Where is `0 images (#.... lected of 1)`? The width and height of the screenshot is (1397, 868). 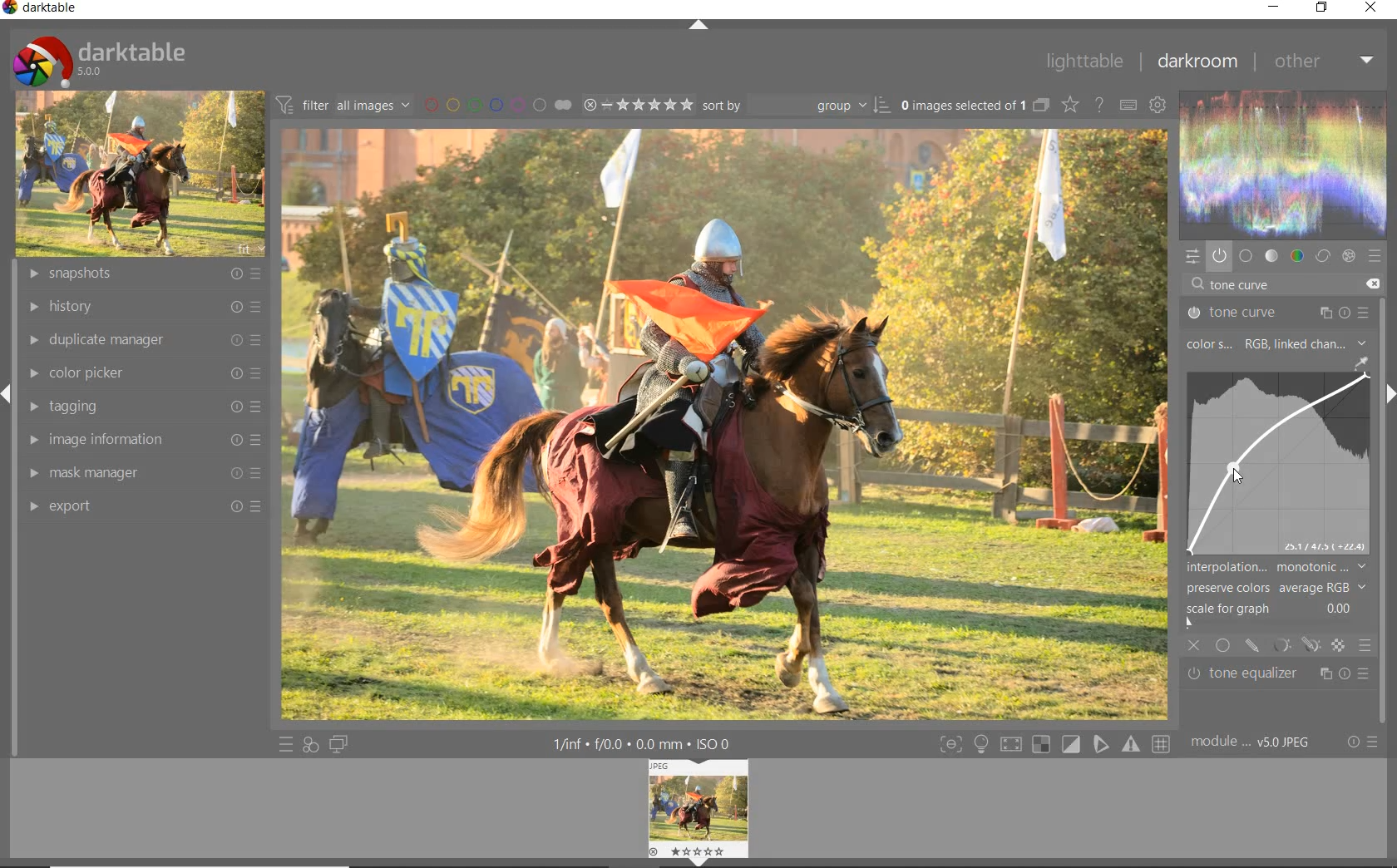 0 images (#.... lected of 1) is located at coordinates (973, 105).